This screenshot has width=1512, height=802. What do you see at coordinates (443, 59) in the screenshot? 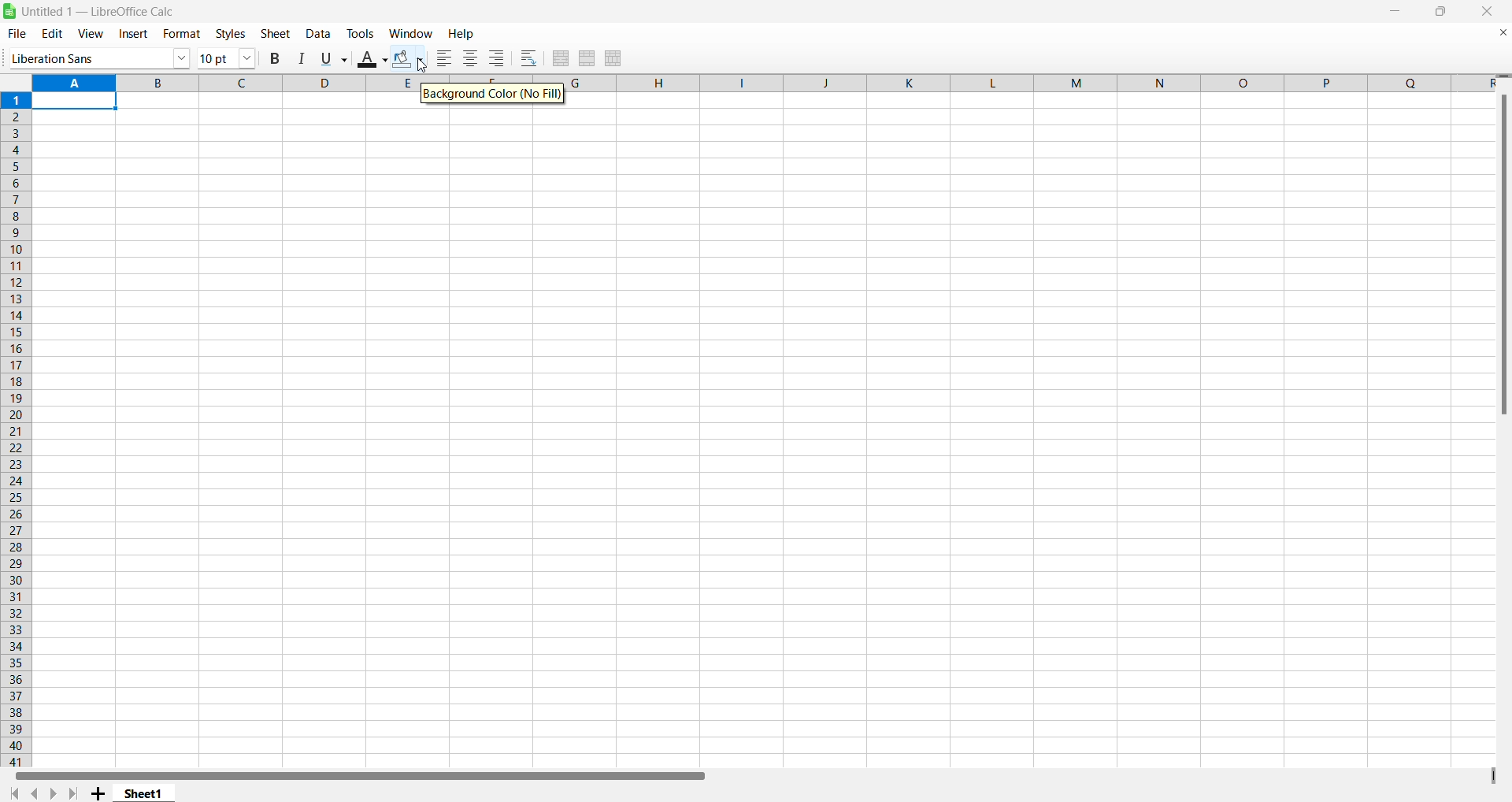
I see `left aligned` at bounding box center [443, 59].